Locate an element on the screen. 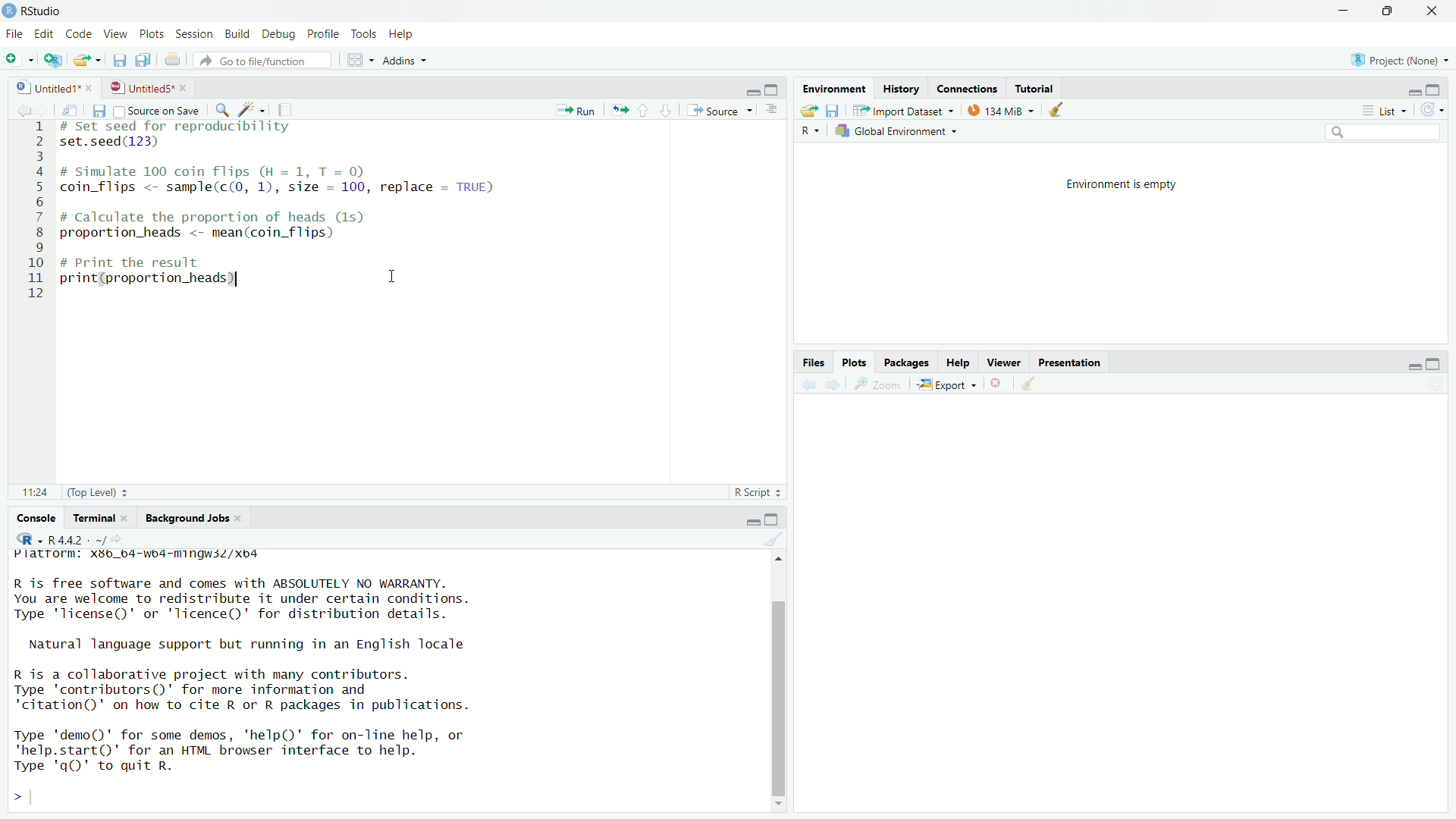 Image resolution: width=1456 pixels, height=819 pixels. Packages is located at coordinates (907, 362).